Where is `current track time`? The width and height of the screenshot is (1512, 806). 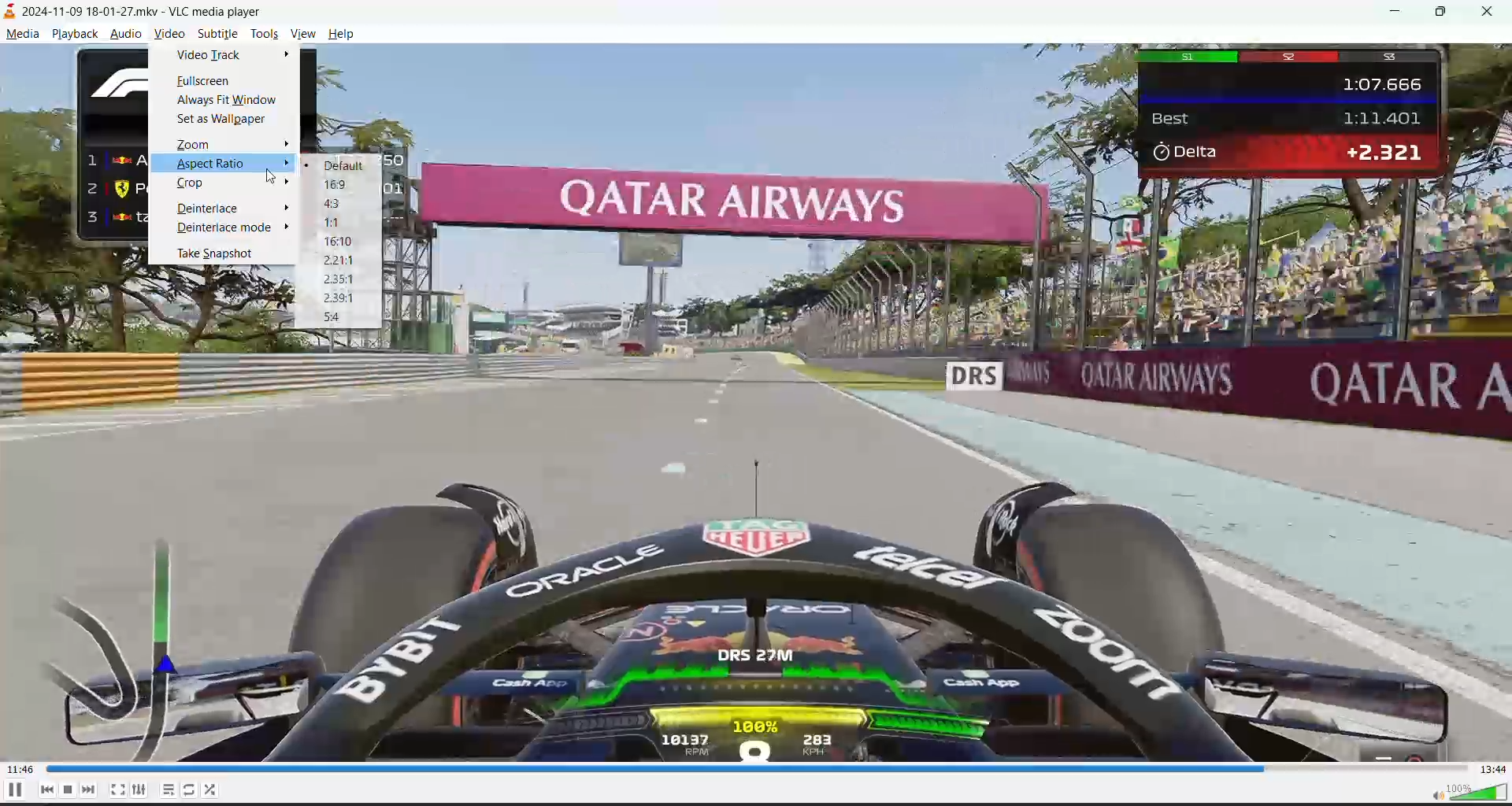 current track time is located at coordinates (20, 769).